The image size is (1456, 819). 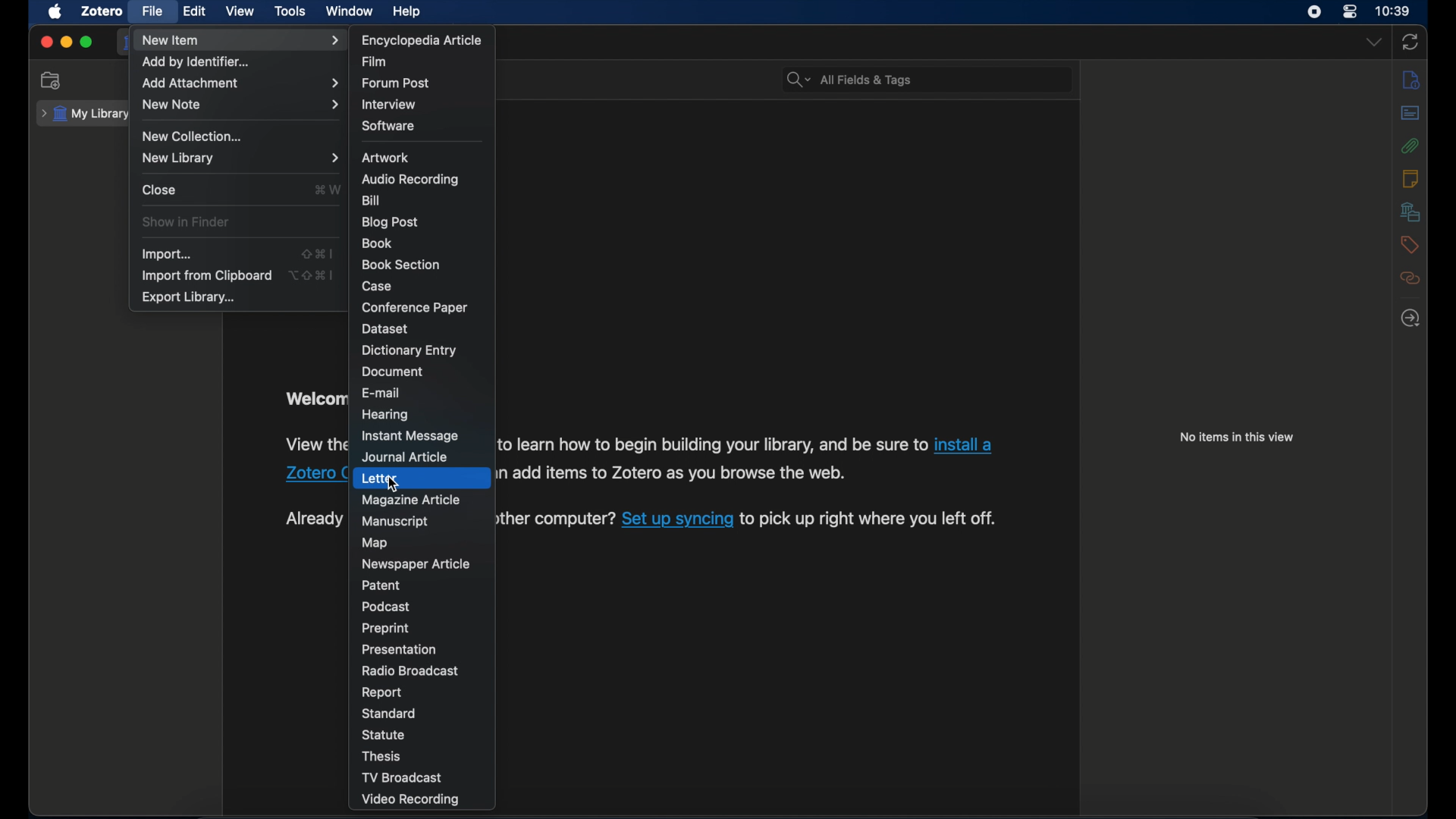 I want to click on view, so click(x=241, y=11).